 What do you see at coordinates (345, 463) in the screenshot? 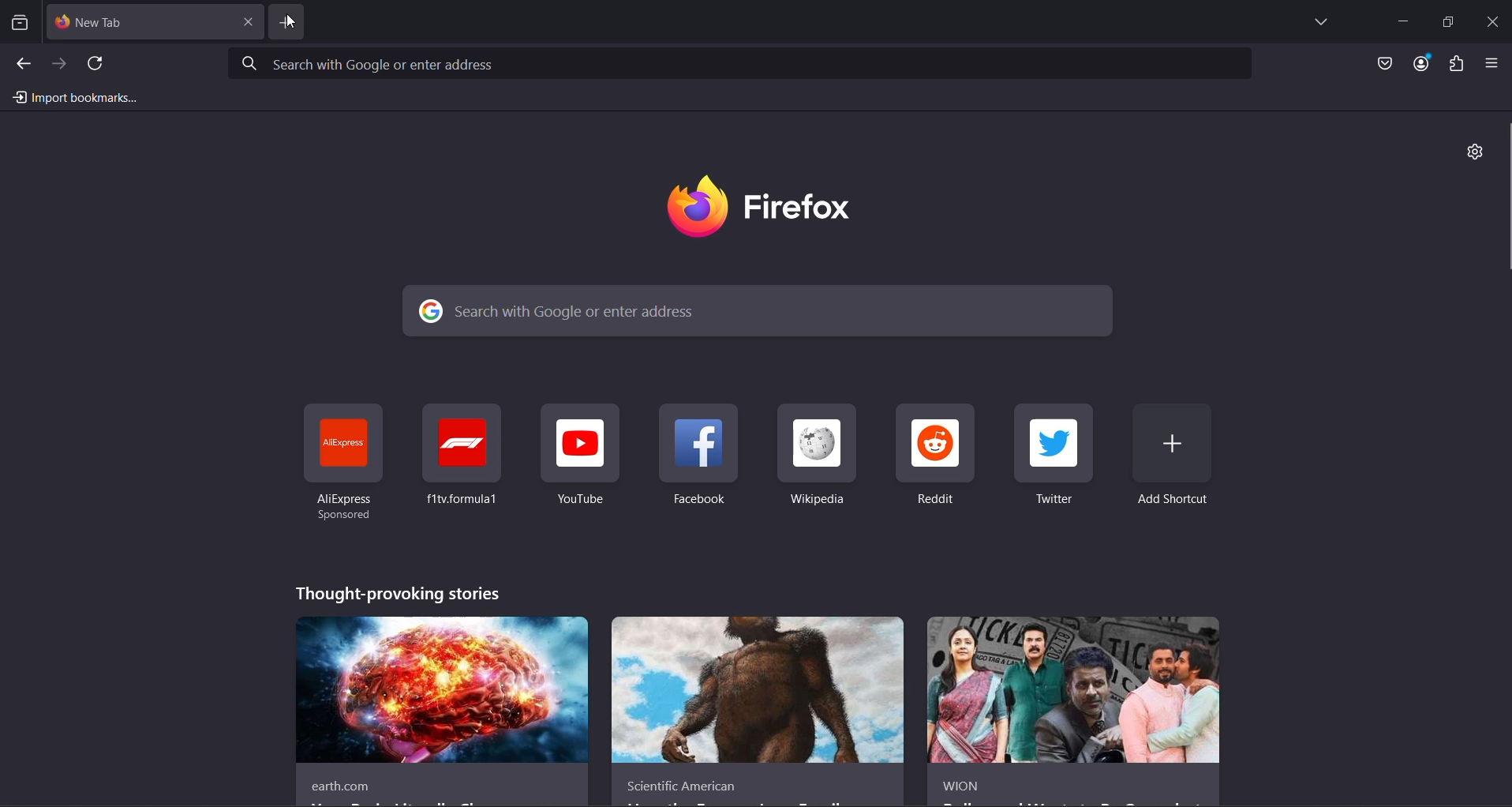
I see `shortcuts` at bounding box center [345, 463].